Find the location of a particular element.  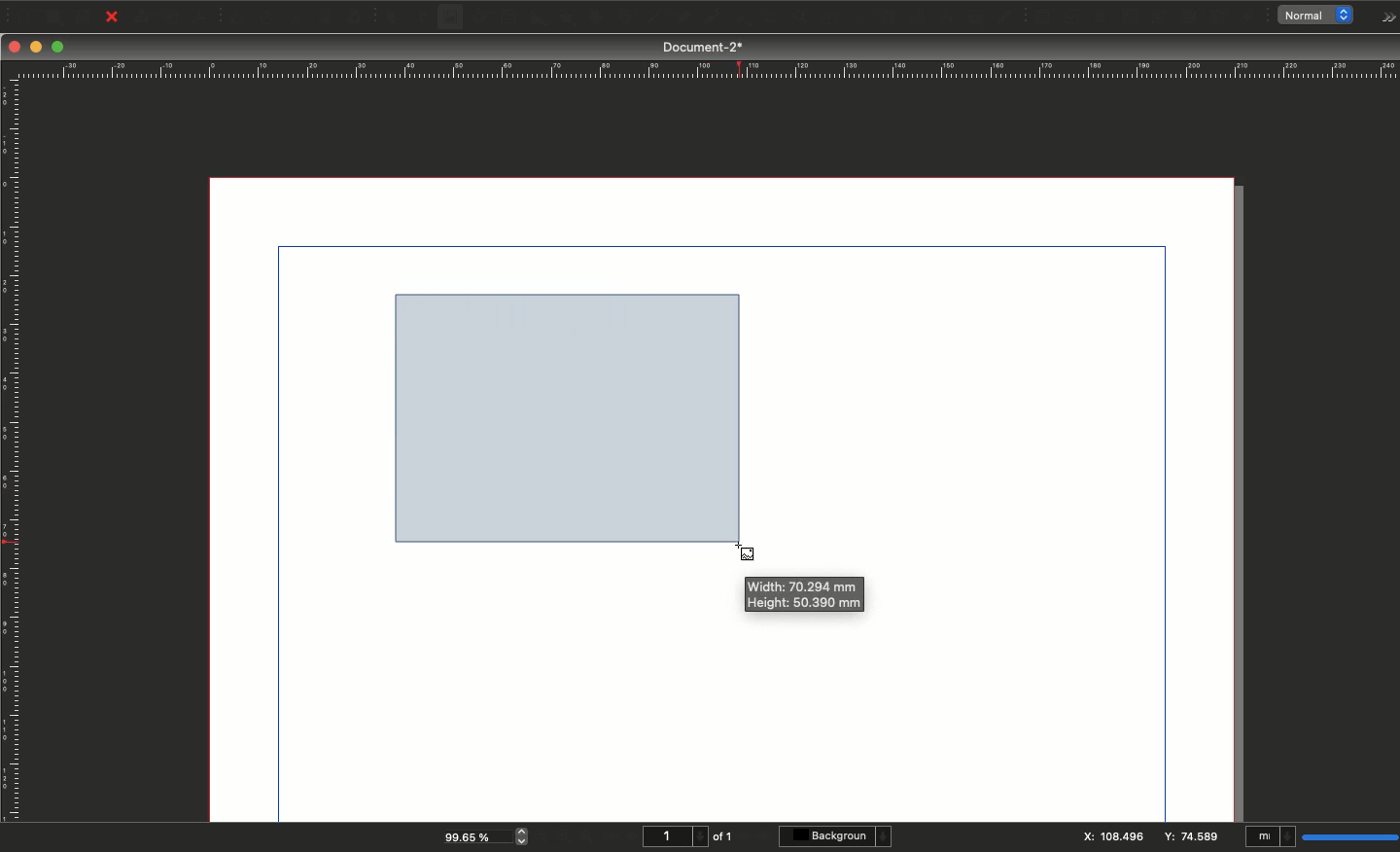

Ruler is located at coordinates (13, 451).